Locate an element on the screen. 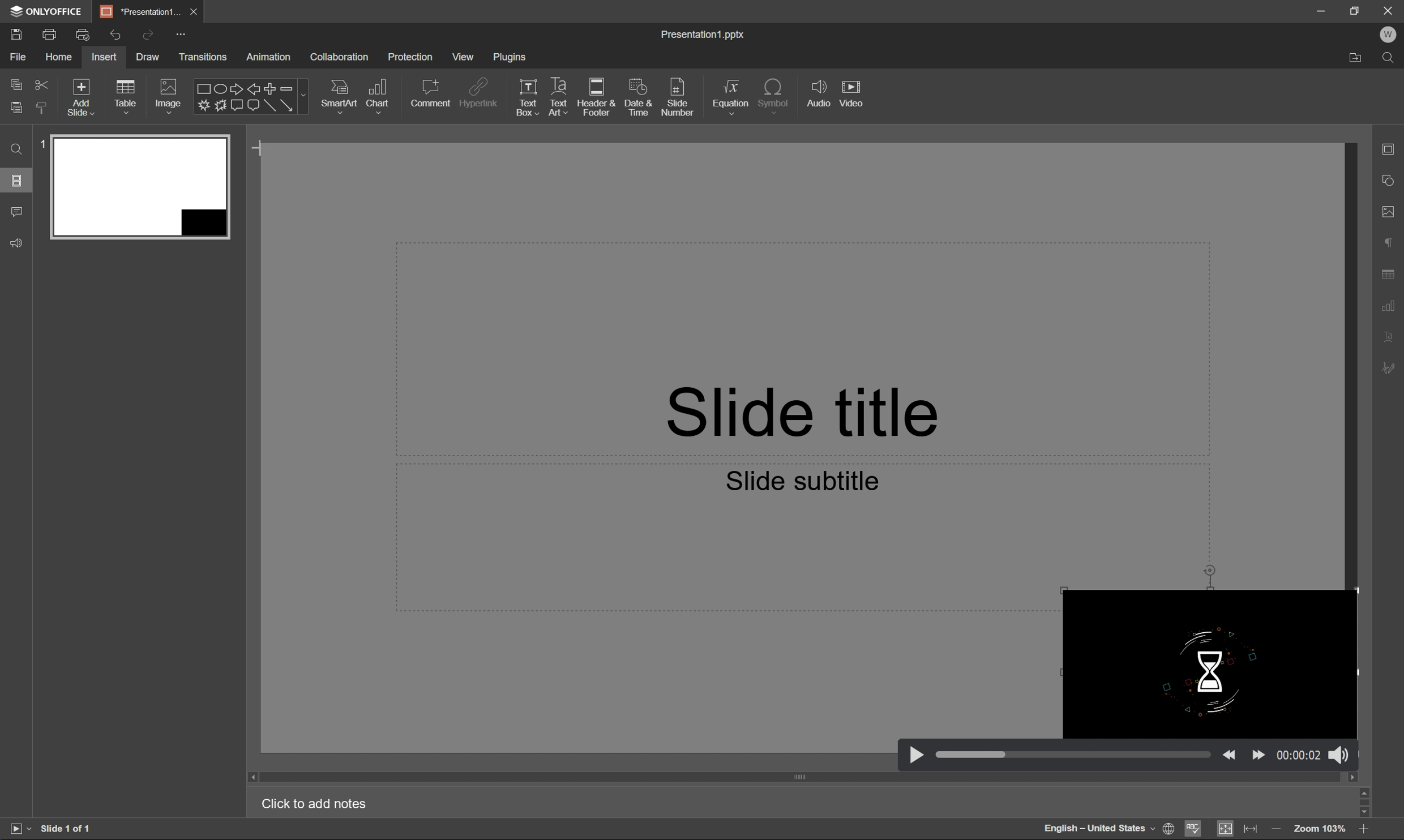  copy is located at coordinates (17, 84).